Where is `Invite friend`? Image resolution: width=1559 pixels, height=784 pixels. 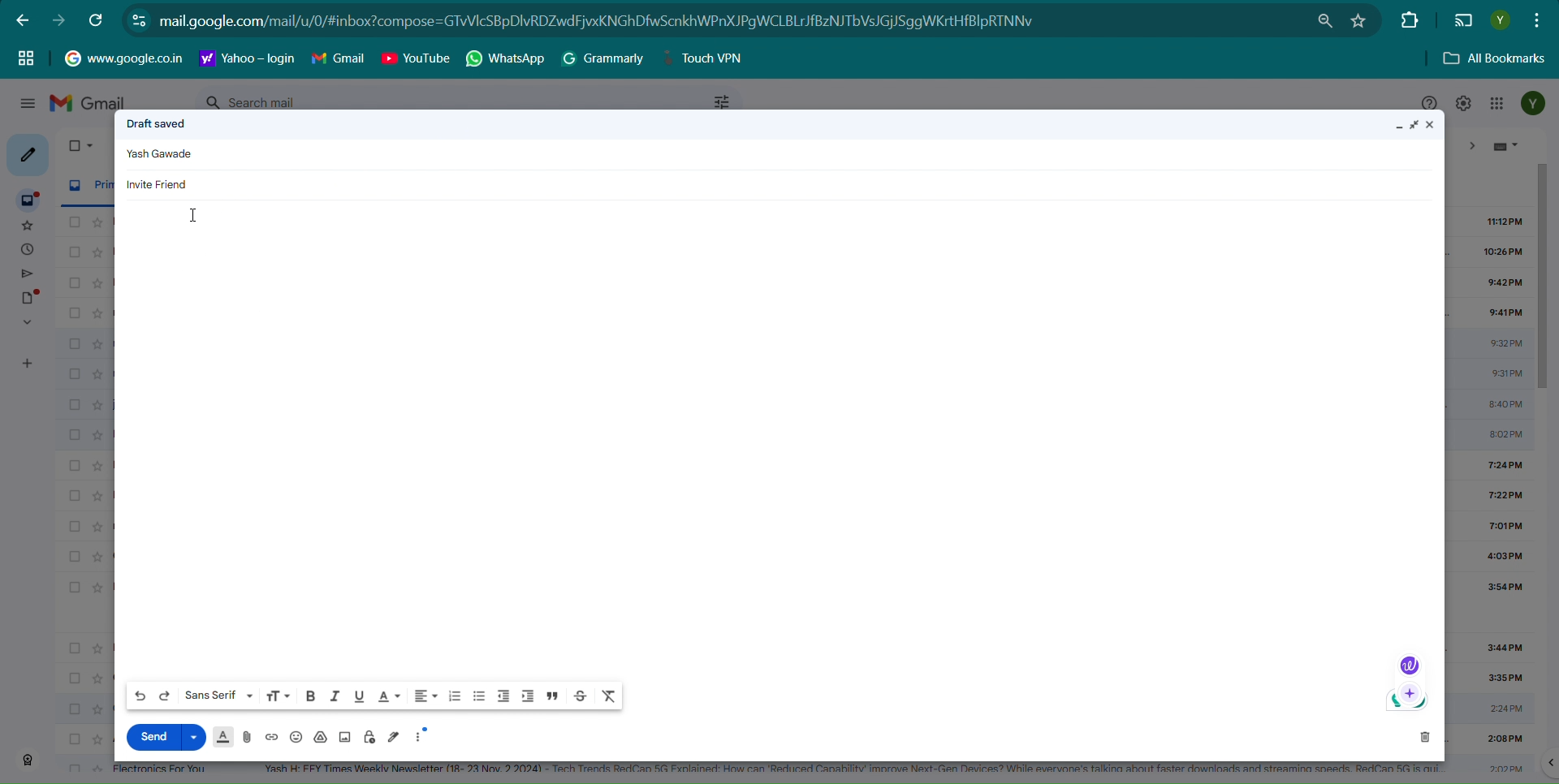
Invite friend is located at coordinates (159, 183).